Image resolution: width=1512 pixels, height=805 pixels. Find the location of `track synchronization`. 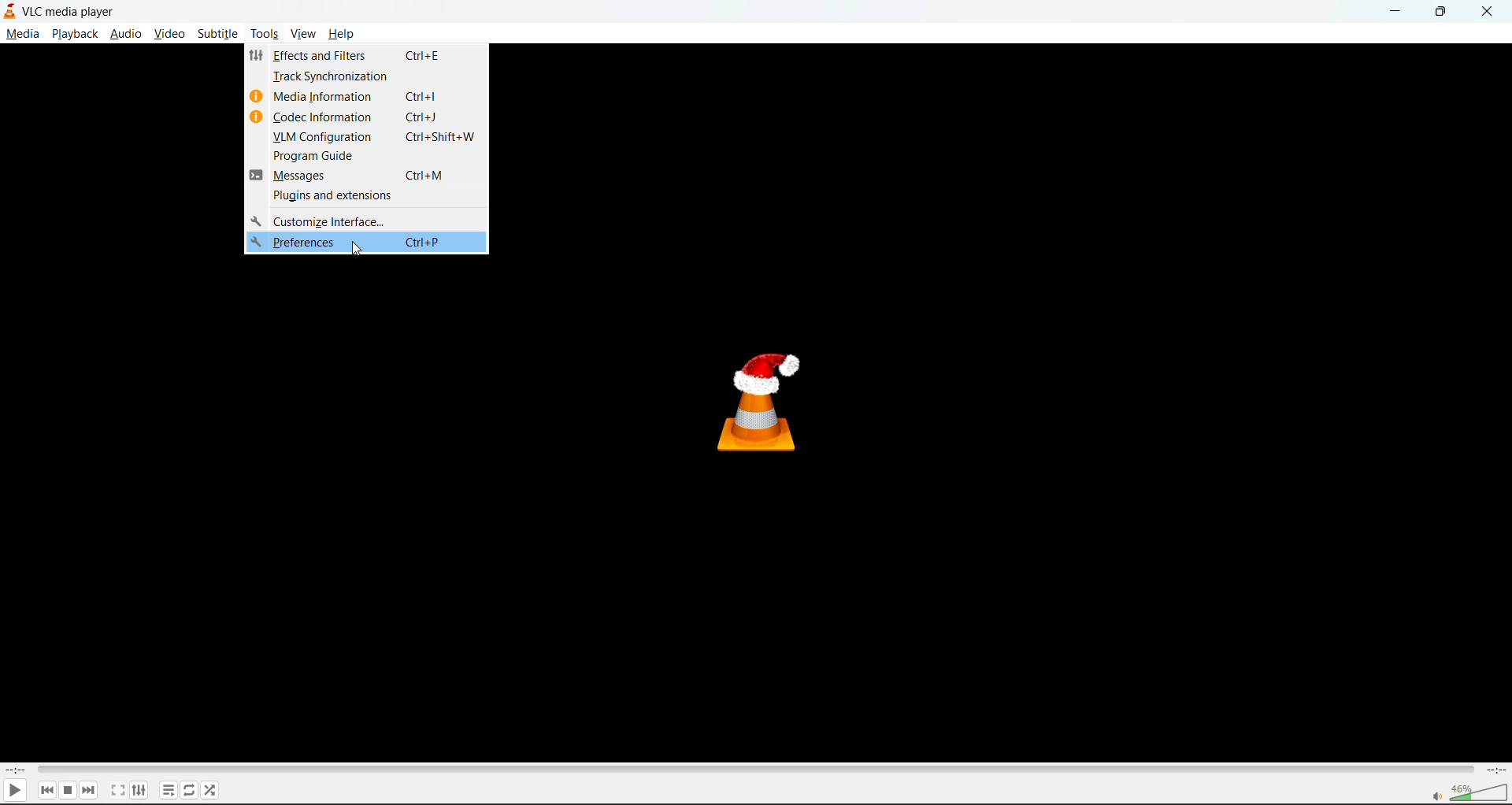

track synchronization is located at coordinates (335, 77).